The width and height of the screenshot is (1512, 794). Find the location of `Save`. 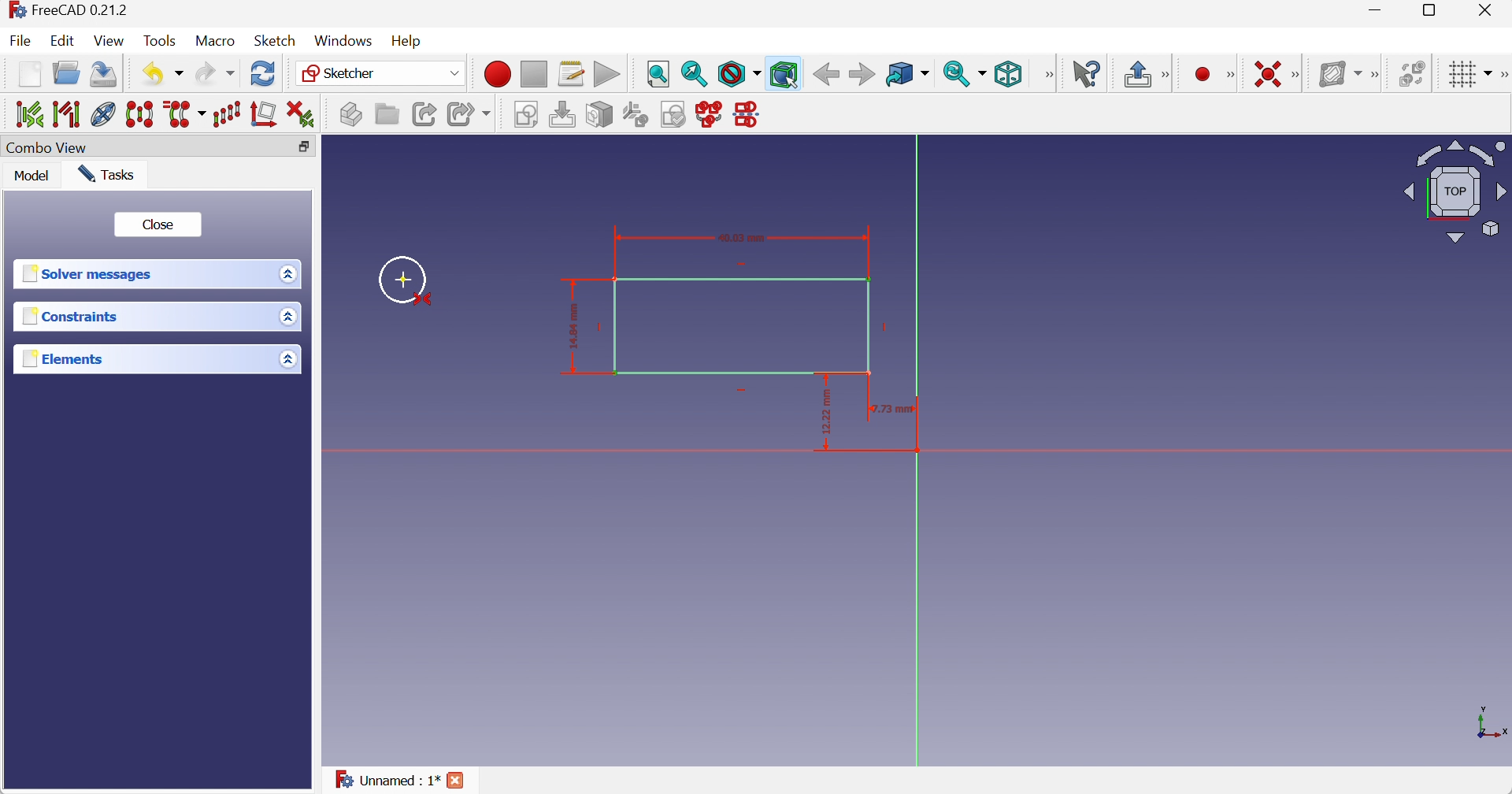

Save is located at coordinates (102, 75).